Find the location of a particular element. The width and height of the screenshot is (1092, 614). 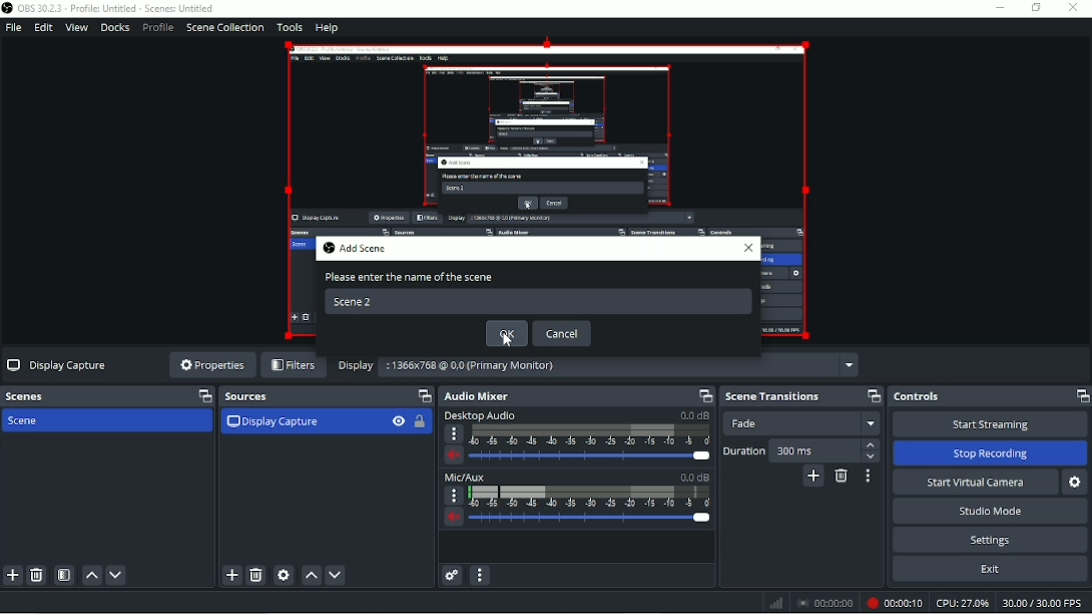

Maximize is located at coordinates (200, 396).